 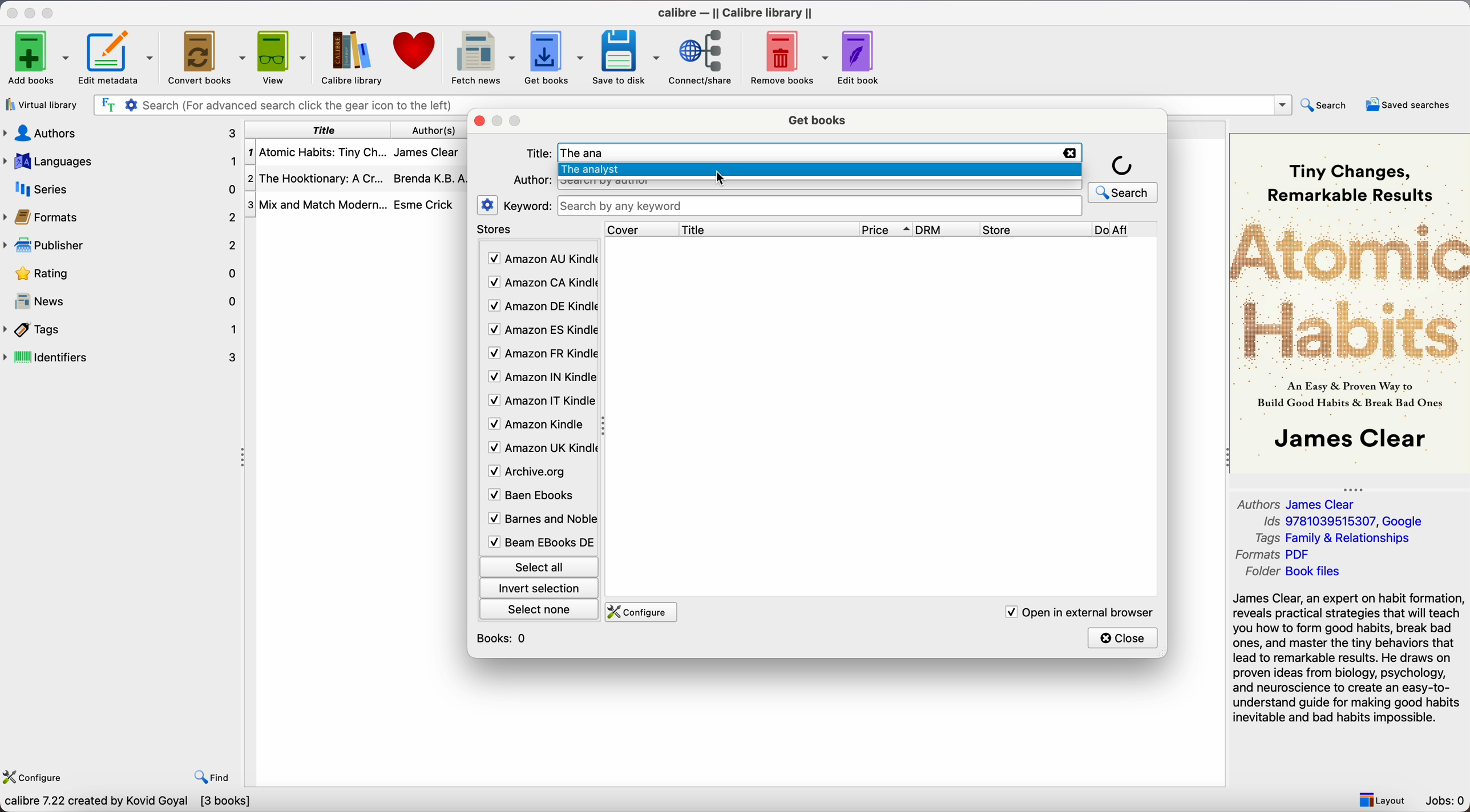 What do you see at coordinates (50, 11) in the screenshot?
I see `maximize` at bounding box center [50, 11].